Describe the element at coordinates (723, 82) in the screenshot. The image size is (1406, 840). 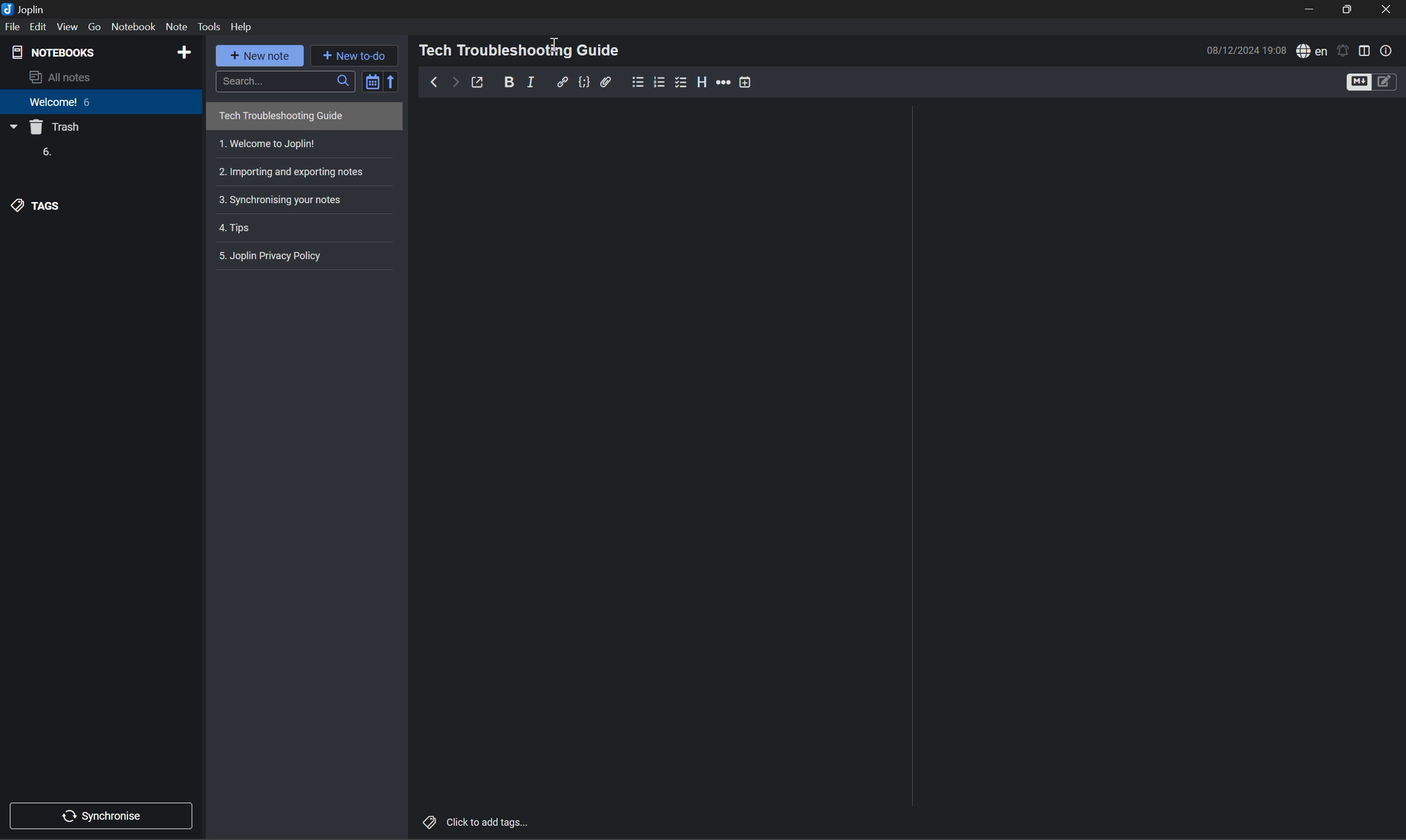
I see `More` at that location.